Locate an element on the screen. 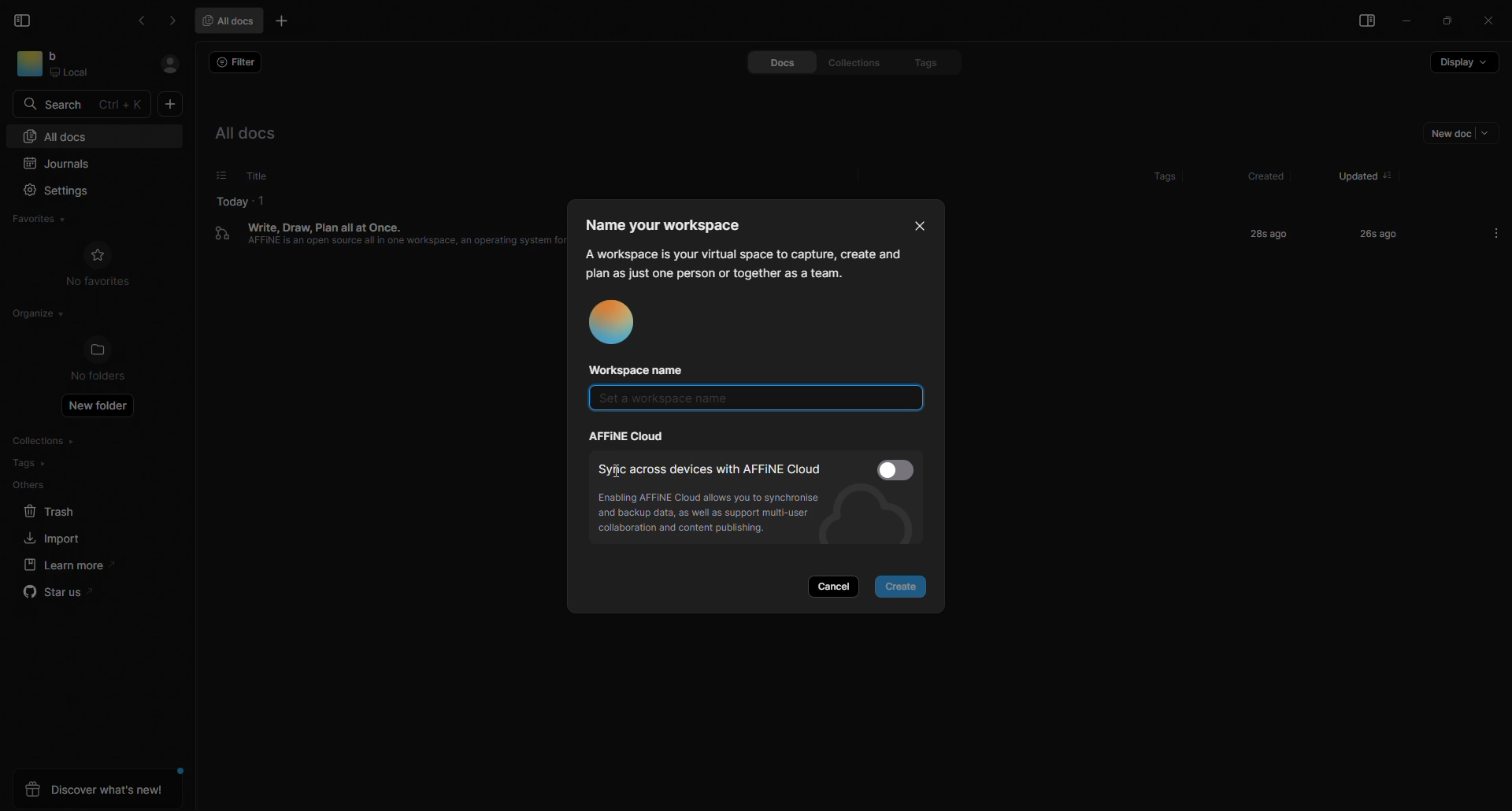 The image size is (1512, 811). al docs is located at coordinates (257, 133).